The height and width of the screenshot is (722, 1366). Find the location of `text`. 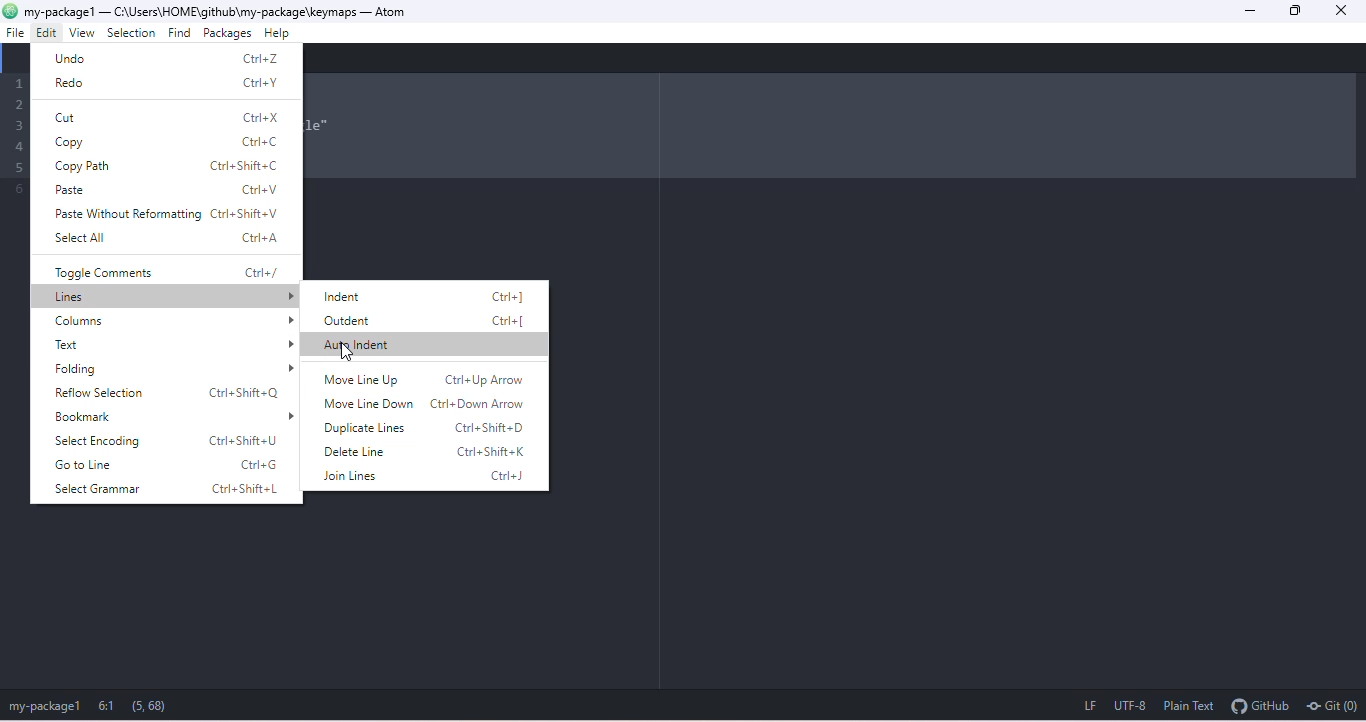

text is located at coordinates (170, 346).